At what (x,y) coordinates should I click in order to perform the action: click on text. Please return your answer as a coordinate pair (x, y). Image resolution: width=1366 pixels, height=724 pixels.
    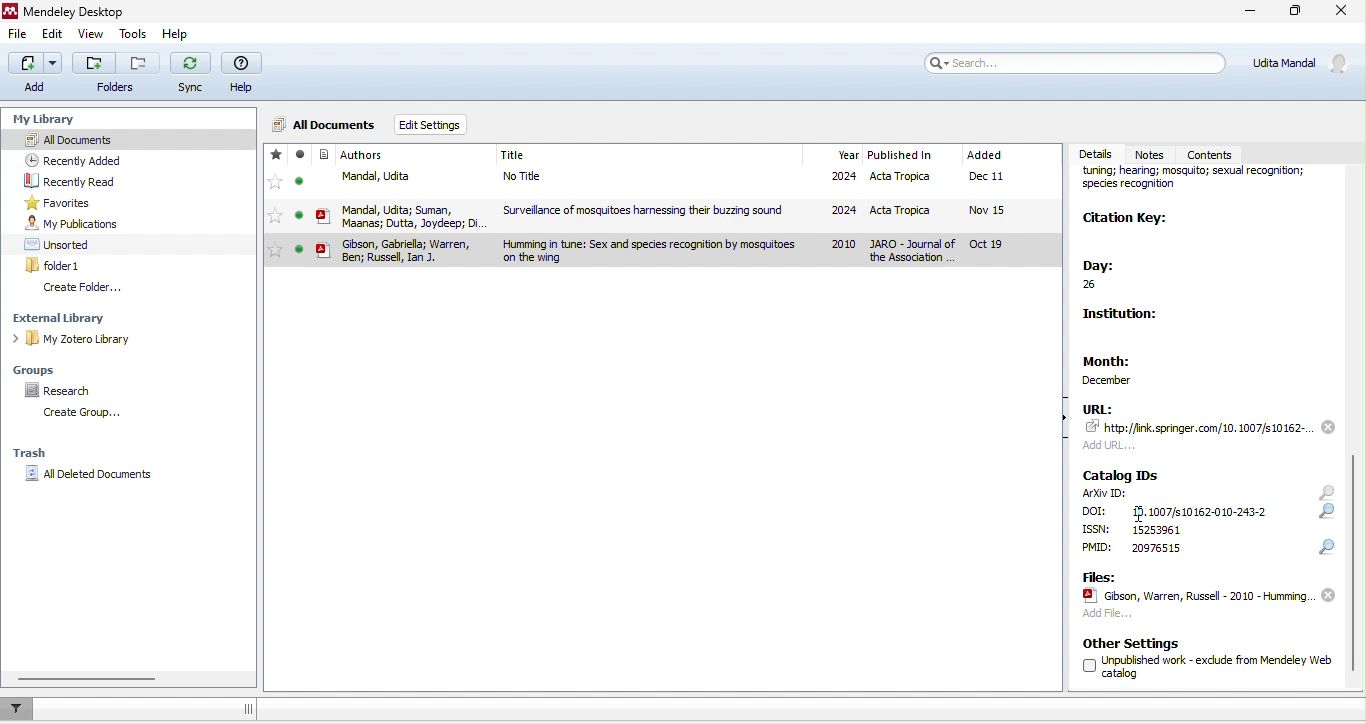
    Looking at the image, I should click on (1156, 529).